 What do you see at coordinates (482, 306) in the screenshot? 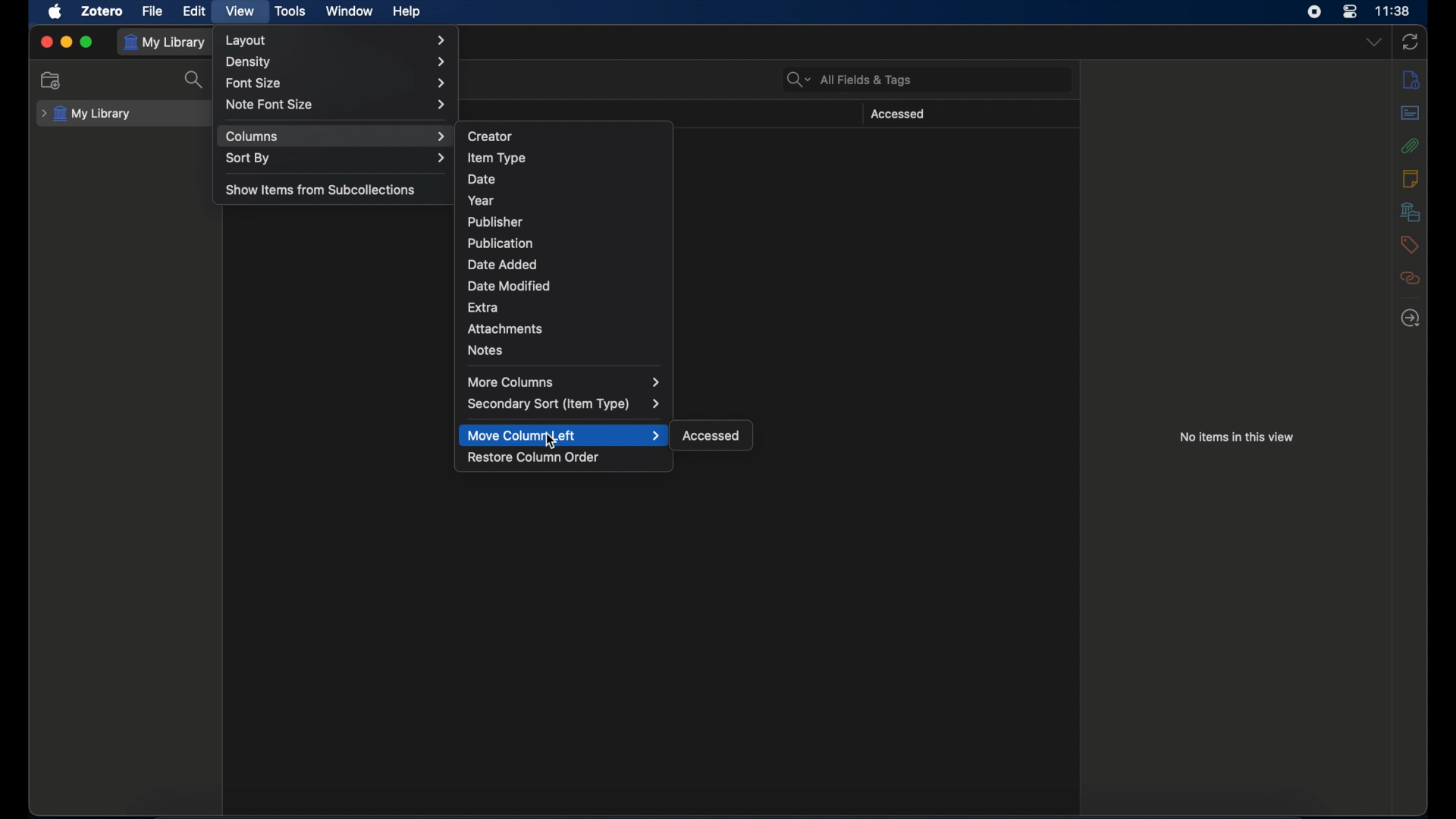
I see `extra` at bounding box center [482, 306].